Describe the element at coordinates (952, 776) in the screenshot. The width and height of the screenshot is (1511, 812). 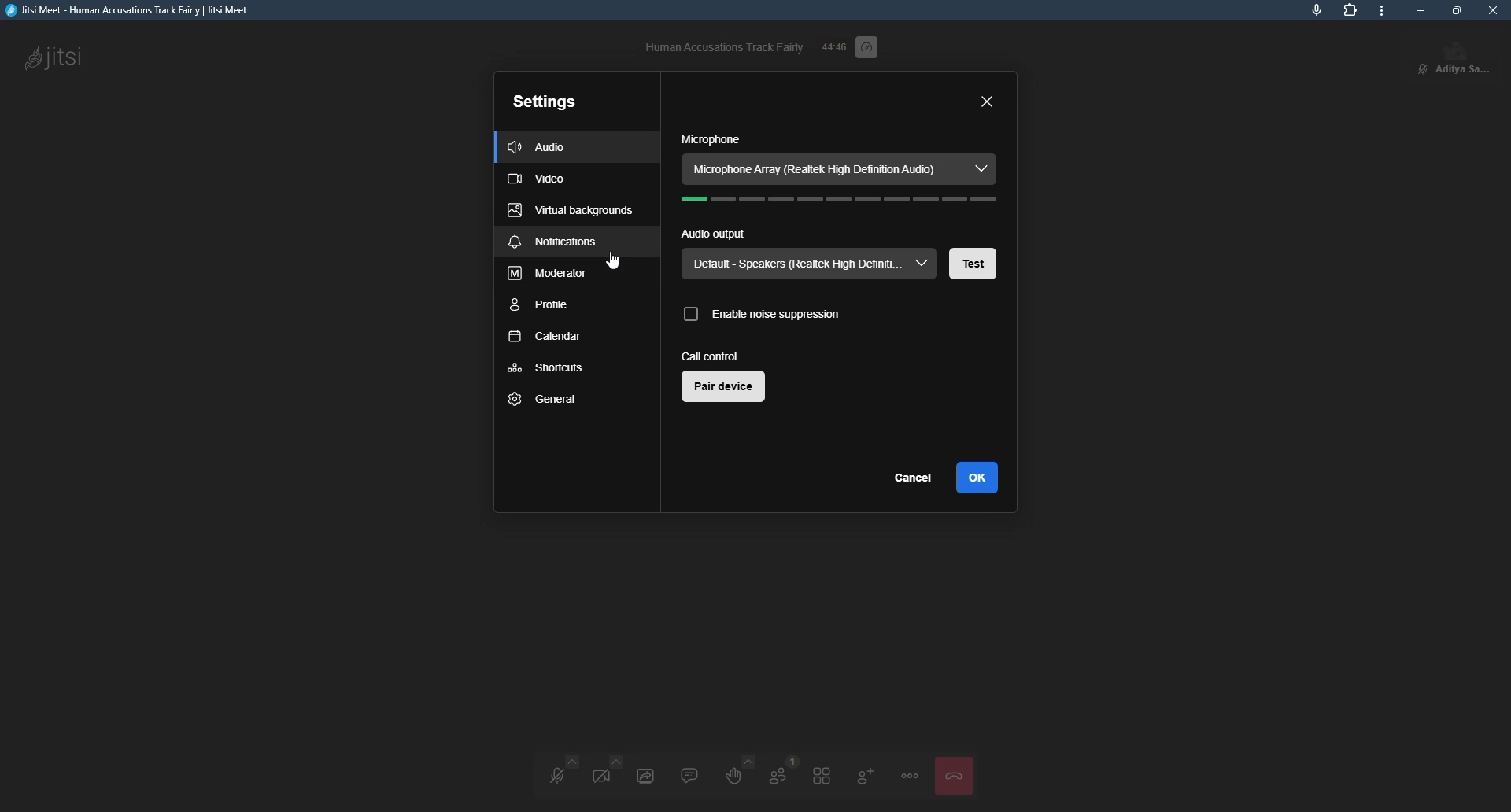
I see `end call` at that location.